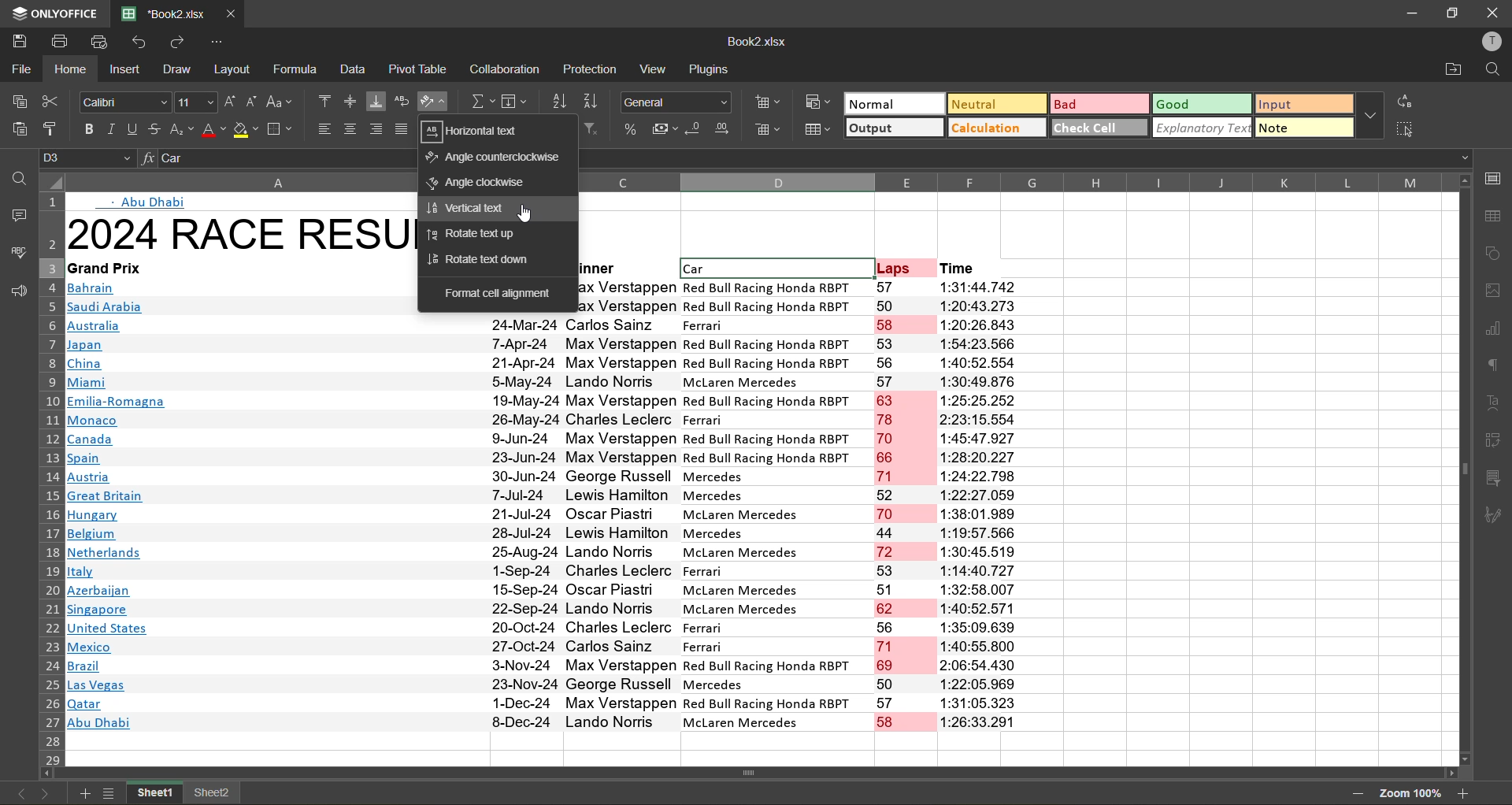 The width and height of the screenshot is (1512, 805). What do you see at coordinates (376, 102) in the screenshot?
I see `align bottom` at bounding box center [376, 102].